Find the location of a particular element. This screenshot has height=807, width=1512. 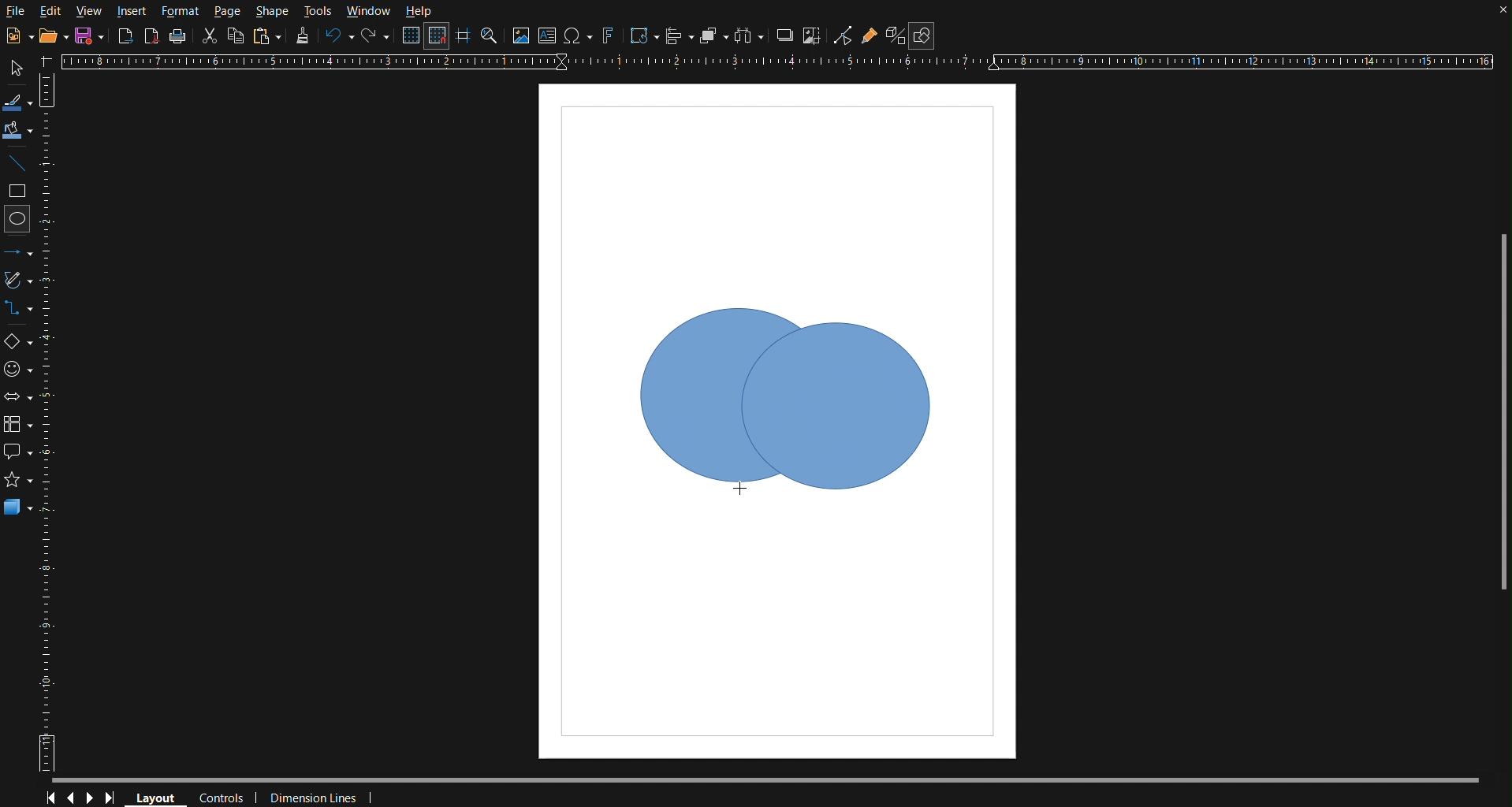

Horizontal Ruler is located at coordinates (784, 62).